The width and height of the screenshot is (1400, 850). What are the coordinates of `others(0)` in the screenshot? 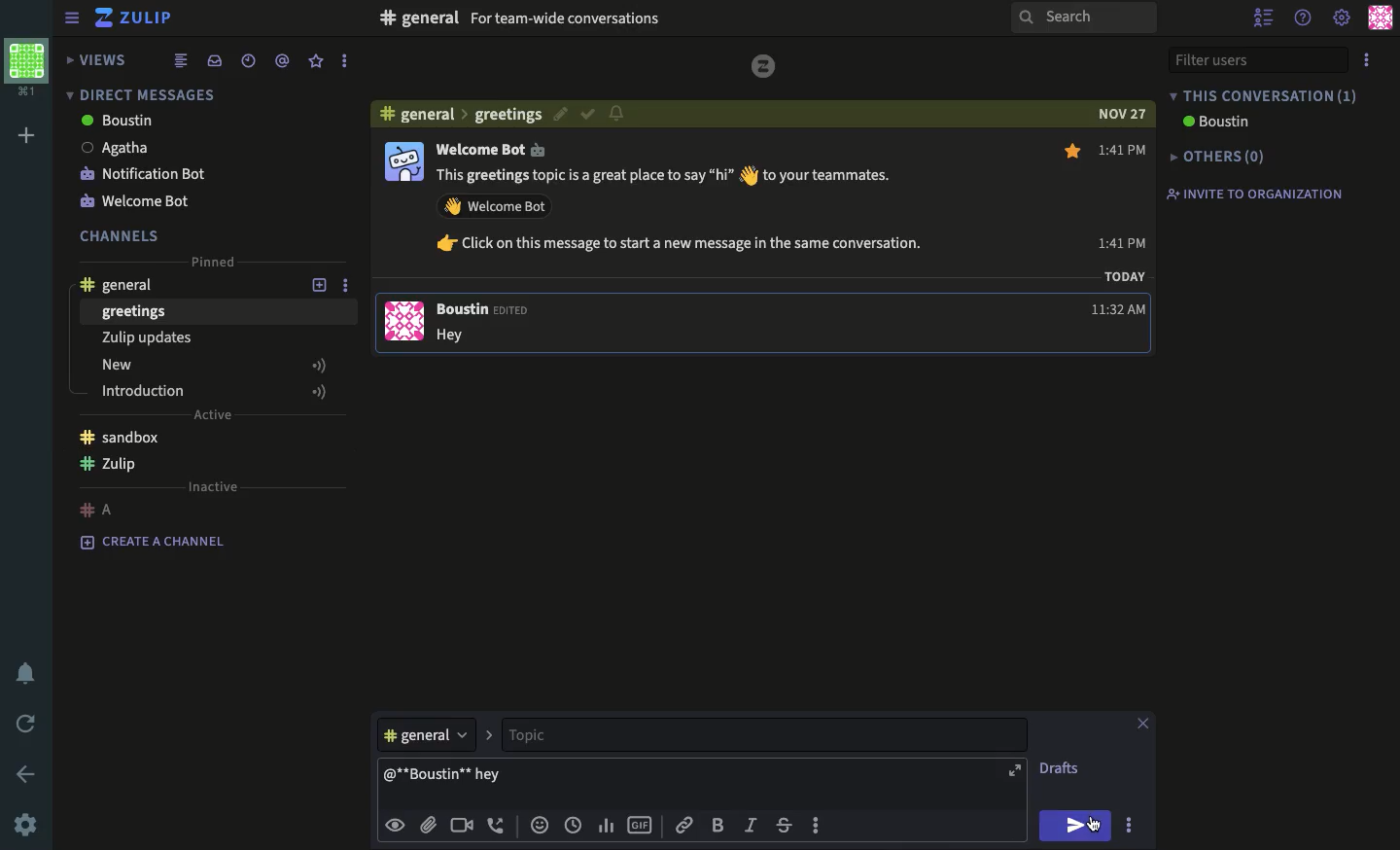 It's located at (1213, 158).